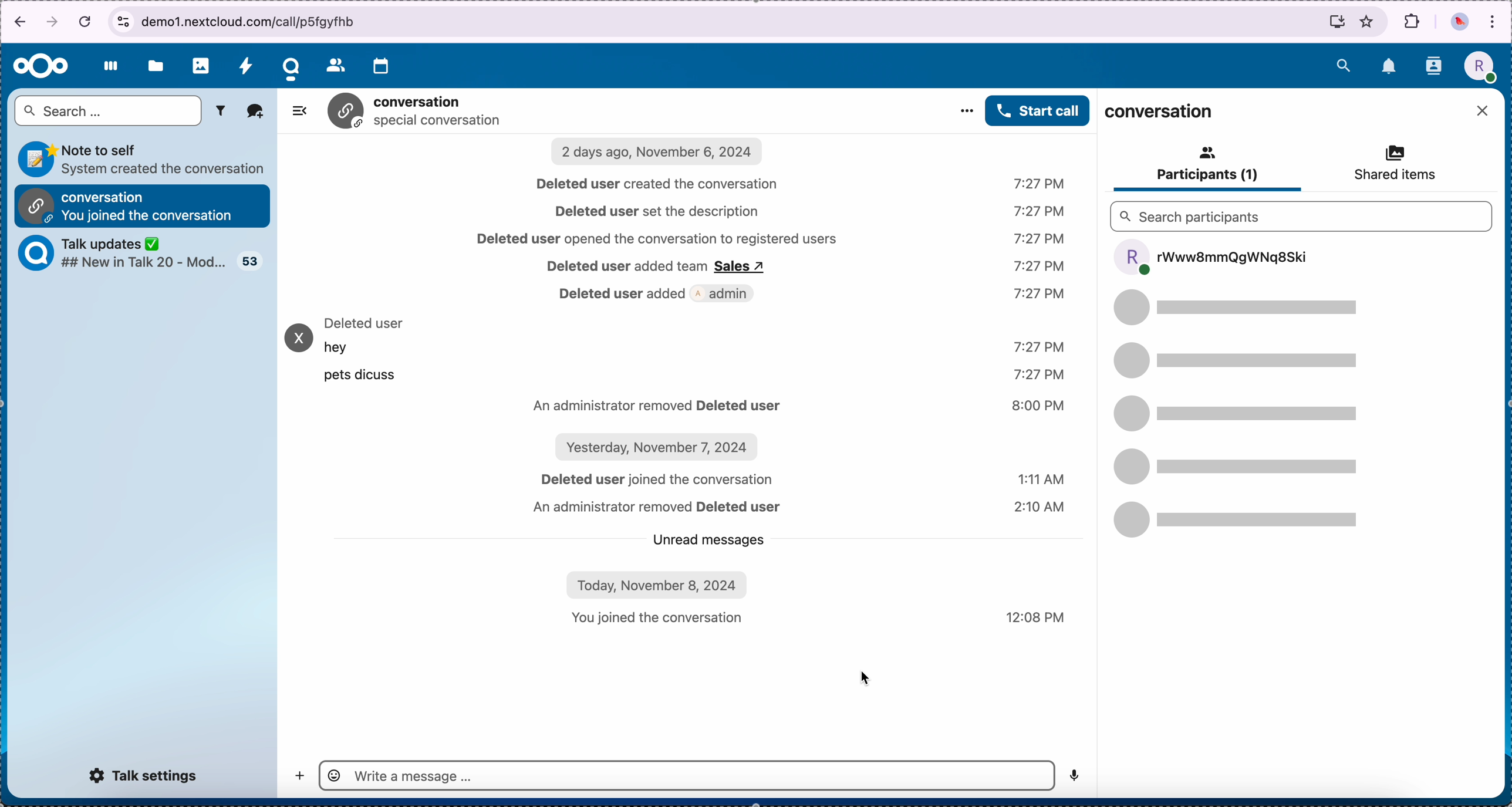 Image resolution: width=1512 pixels, height=807 pixels. I want to click on search bar, so click(109, 112).